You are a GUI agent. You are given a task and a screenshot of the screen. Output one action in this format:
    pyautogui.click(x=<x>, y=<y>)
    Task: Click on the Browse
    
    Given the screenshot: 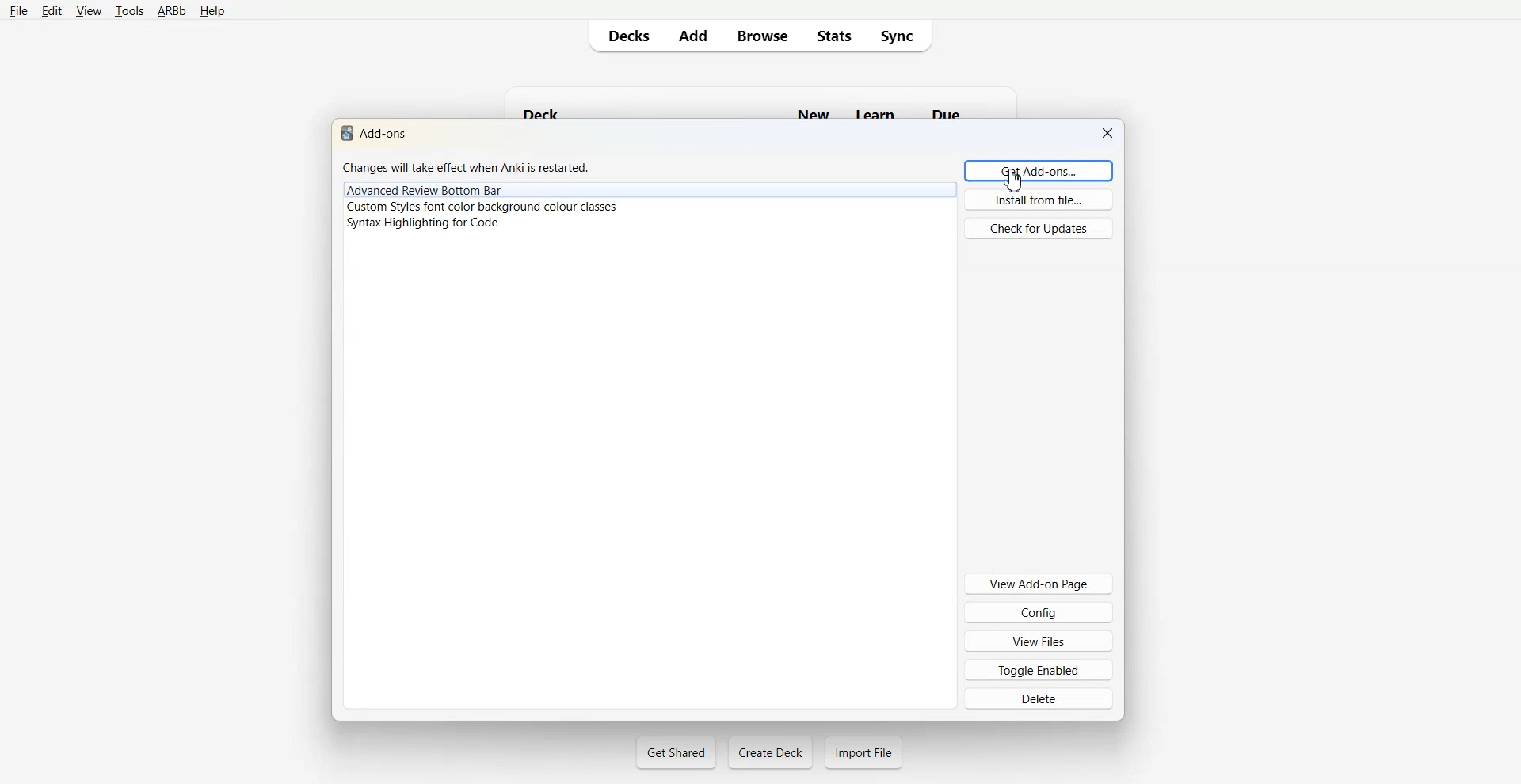 What is the action you would take?
    pyautogui.click(x=761, y=36)
    